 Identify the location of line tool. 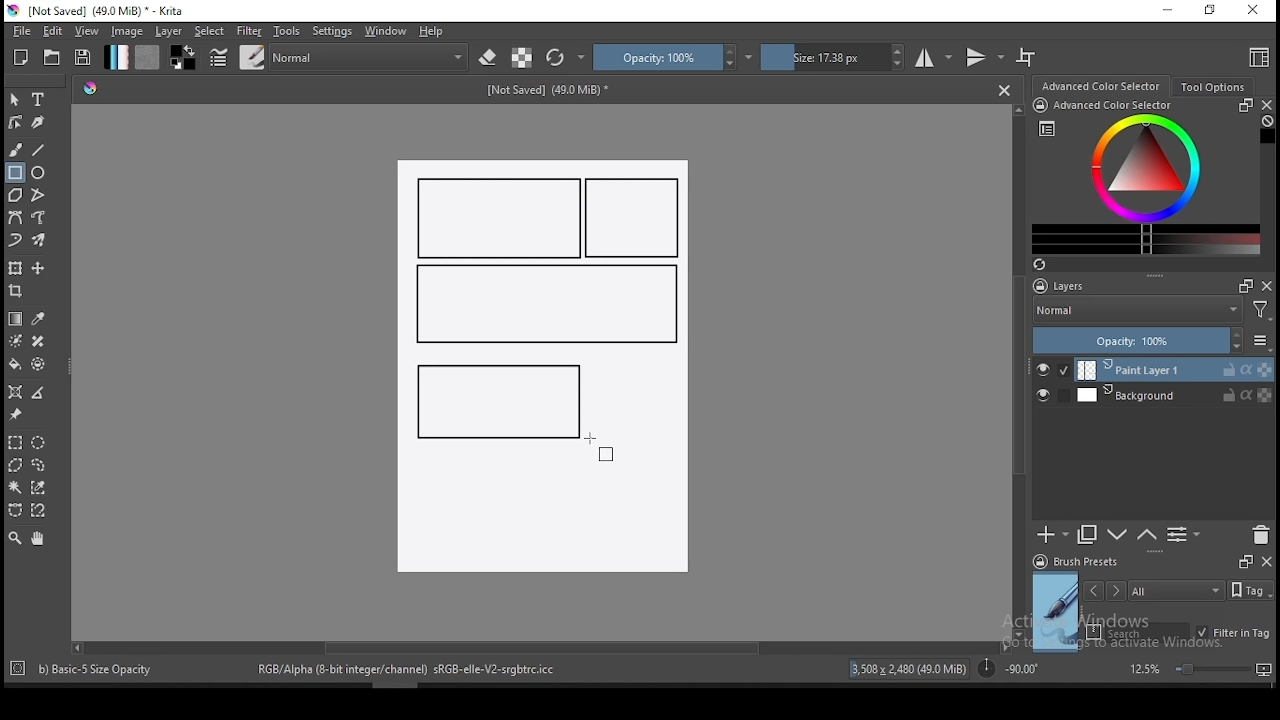
(39, 150).